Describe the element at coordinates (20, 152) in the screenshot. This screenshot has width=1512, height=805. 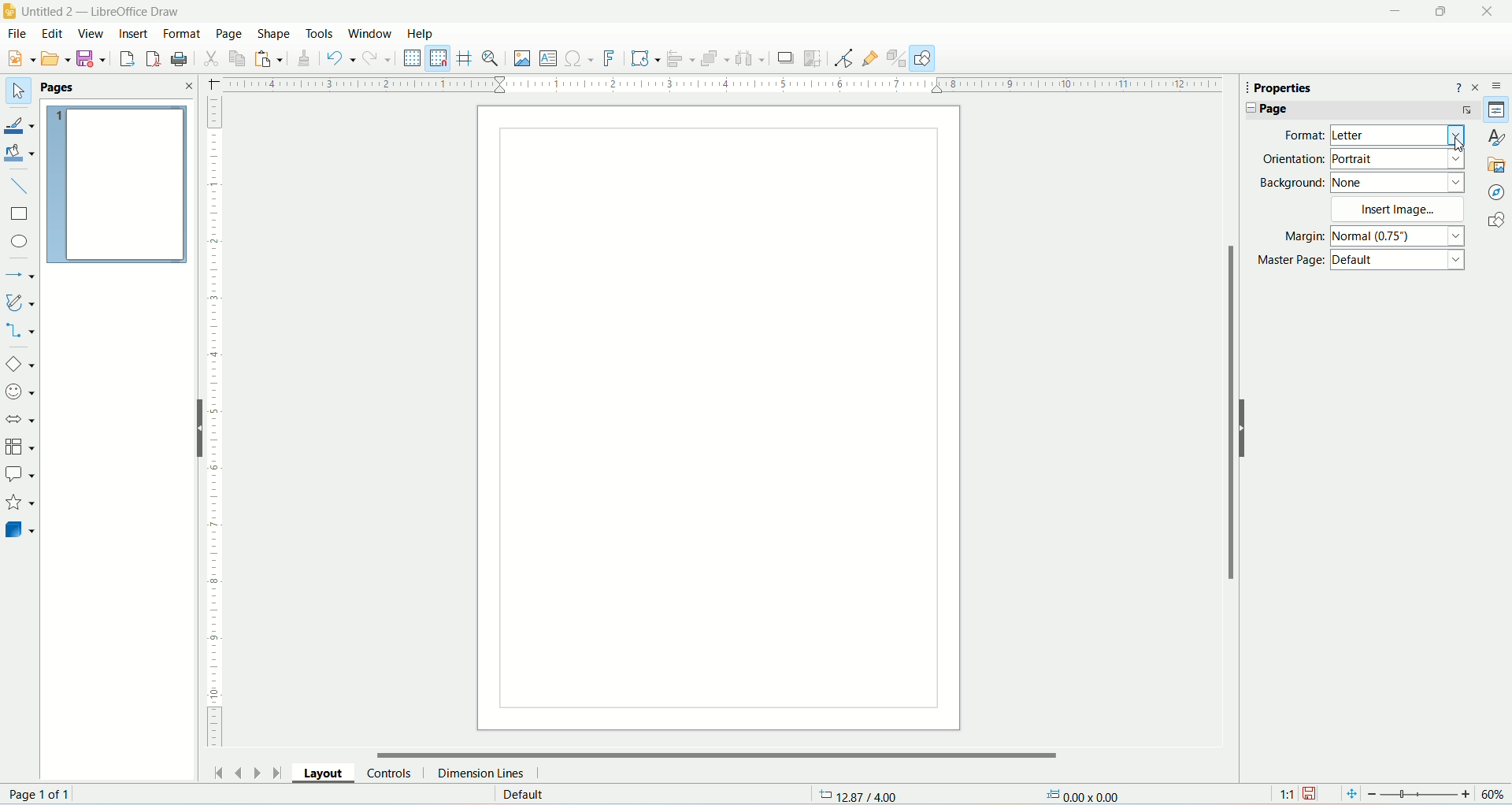
I see `fill color` at that location.